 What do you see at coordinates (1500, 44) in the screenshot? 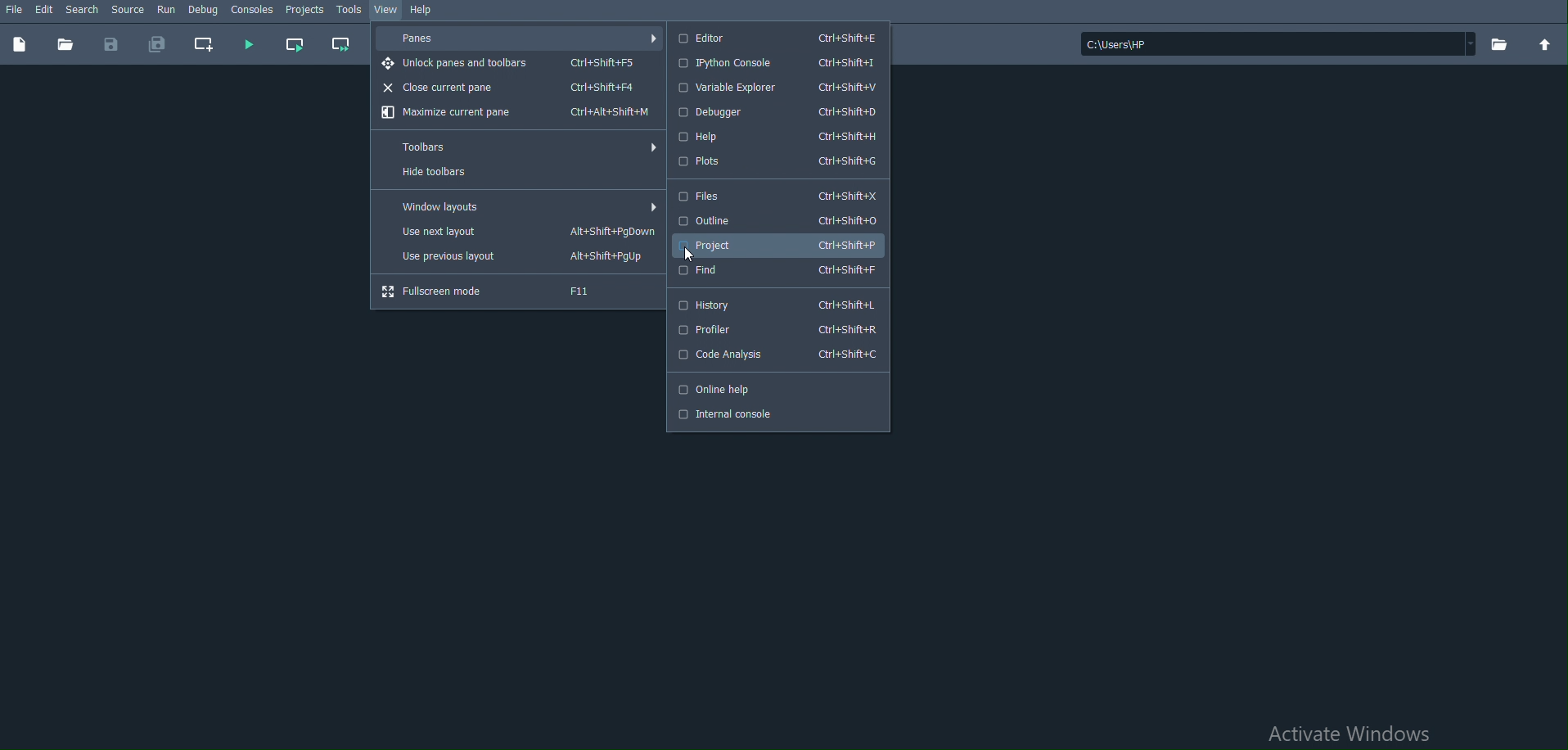
I see `Browse a working directory` at bounding box center [1500, 44].